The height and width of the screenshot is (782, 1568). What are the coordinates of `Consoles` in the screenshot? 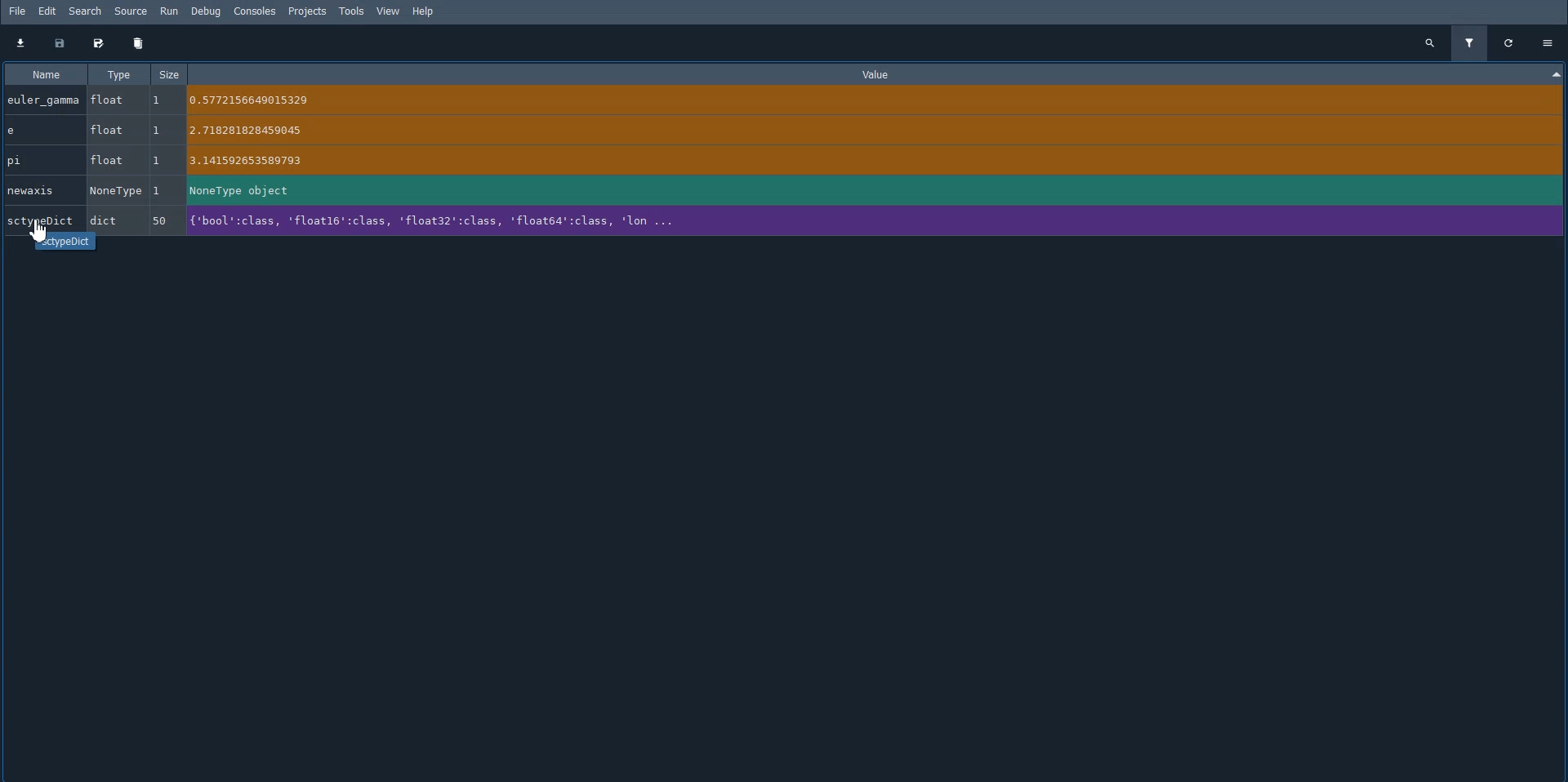 It's located at (254, 11).